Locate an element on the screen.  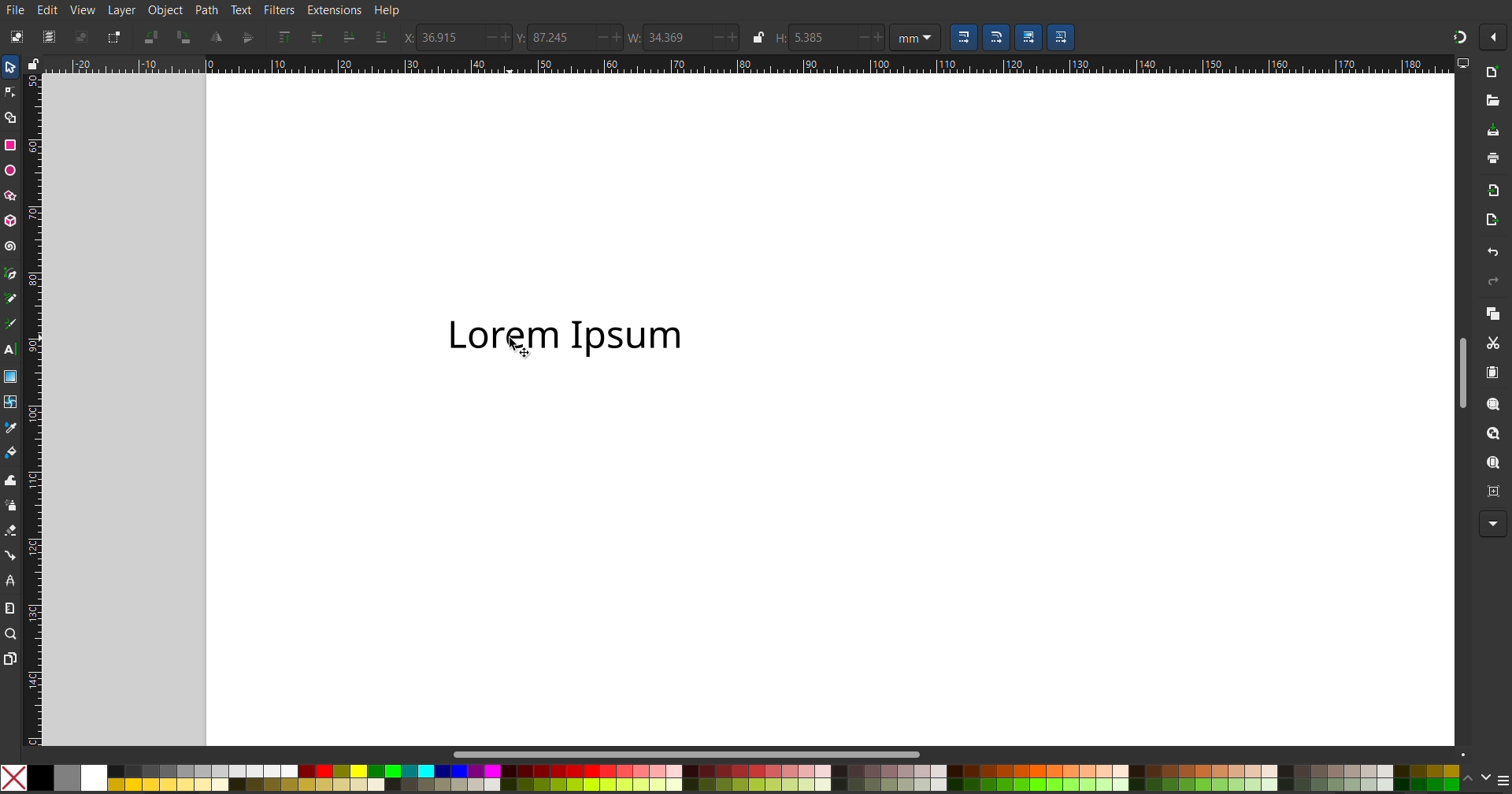
Scaling Objects Options is located at coordinates (1023, 37).